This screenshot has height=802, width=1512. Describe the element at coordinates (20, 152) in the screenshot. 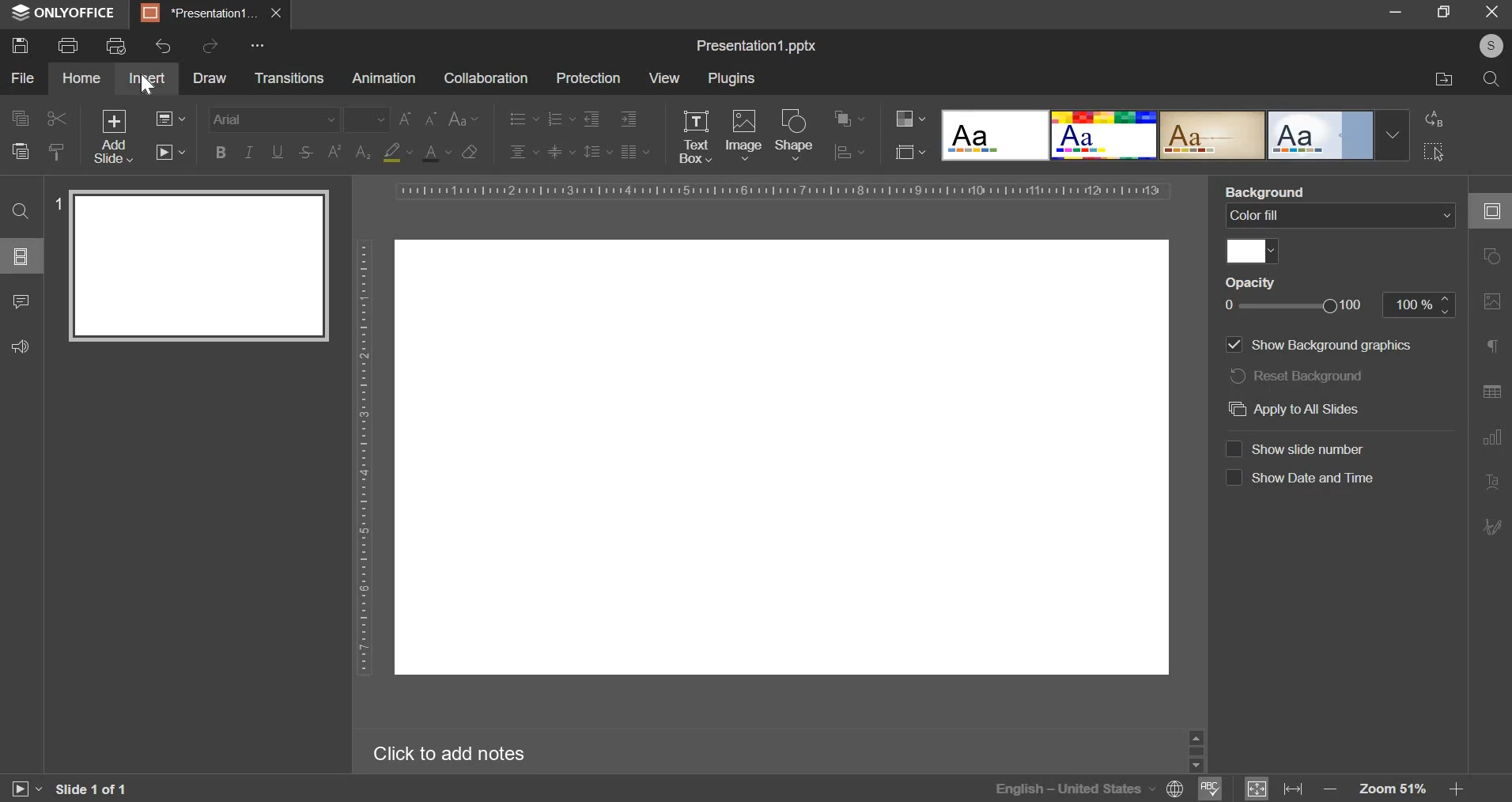

I see `paste` at that location.